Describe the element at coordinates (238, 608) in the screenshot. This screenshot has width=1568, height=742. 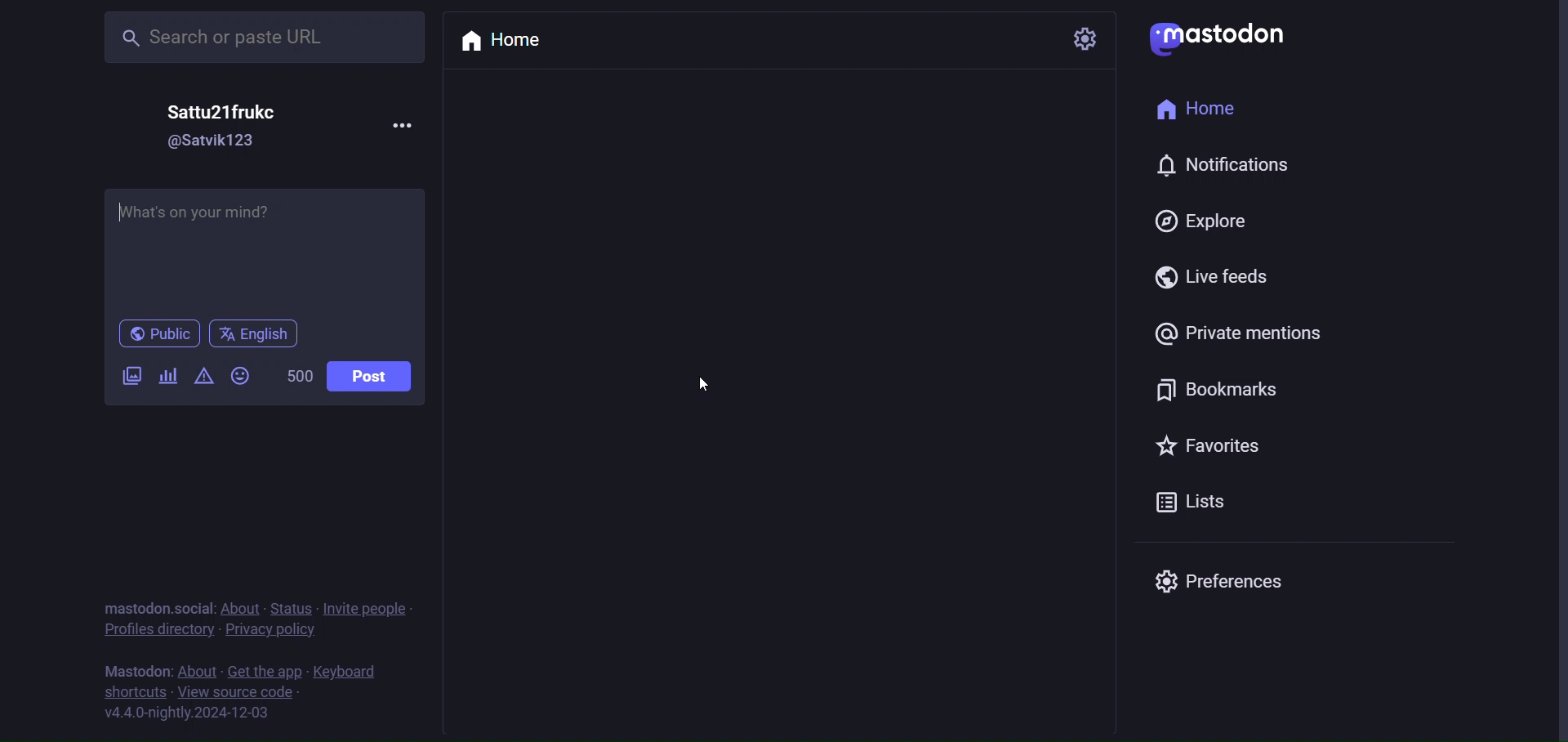
I see `about` at that location.